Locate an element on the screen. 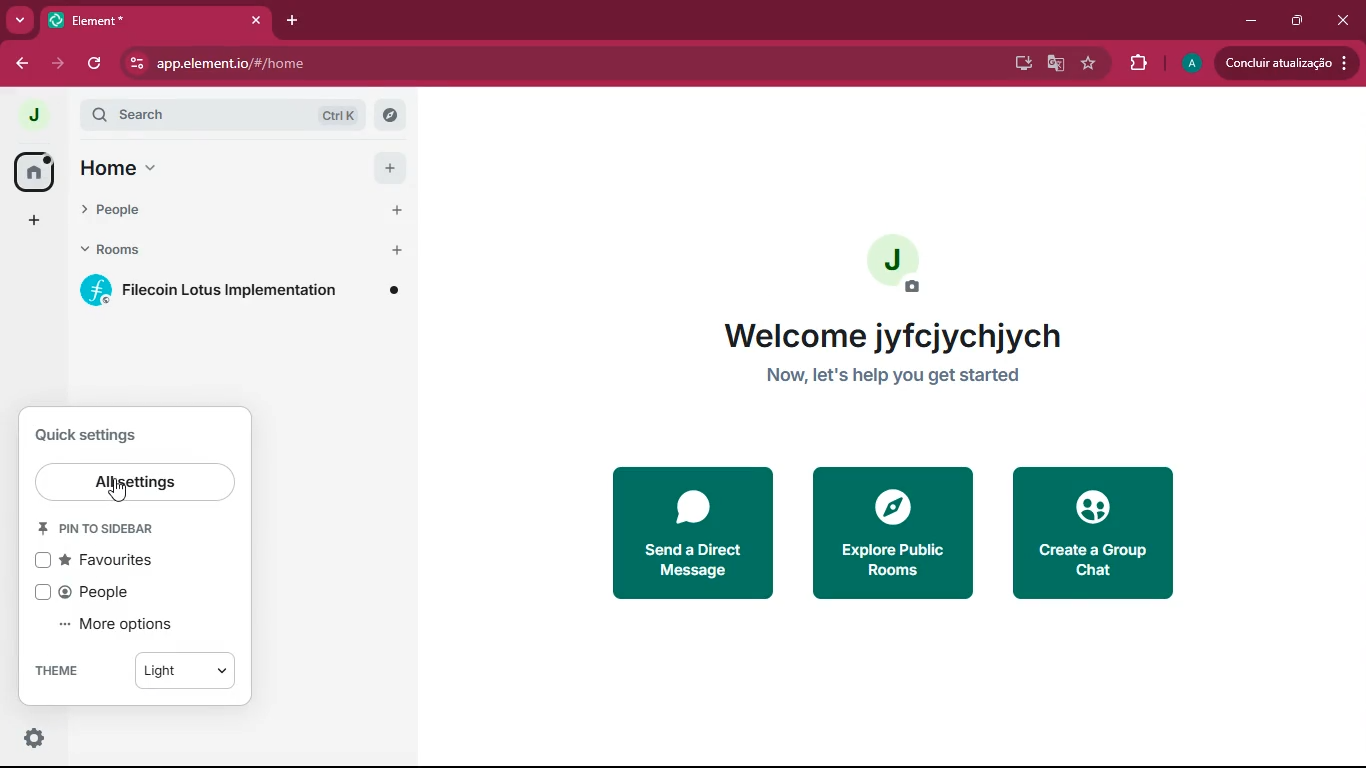 Image resolution: width=1366 pixels, height=768 pixels. minimize is located at coordinates (1248, 22).